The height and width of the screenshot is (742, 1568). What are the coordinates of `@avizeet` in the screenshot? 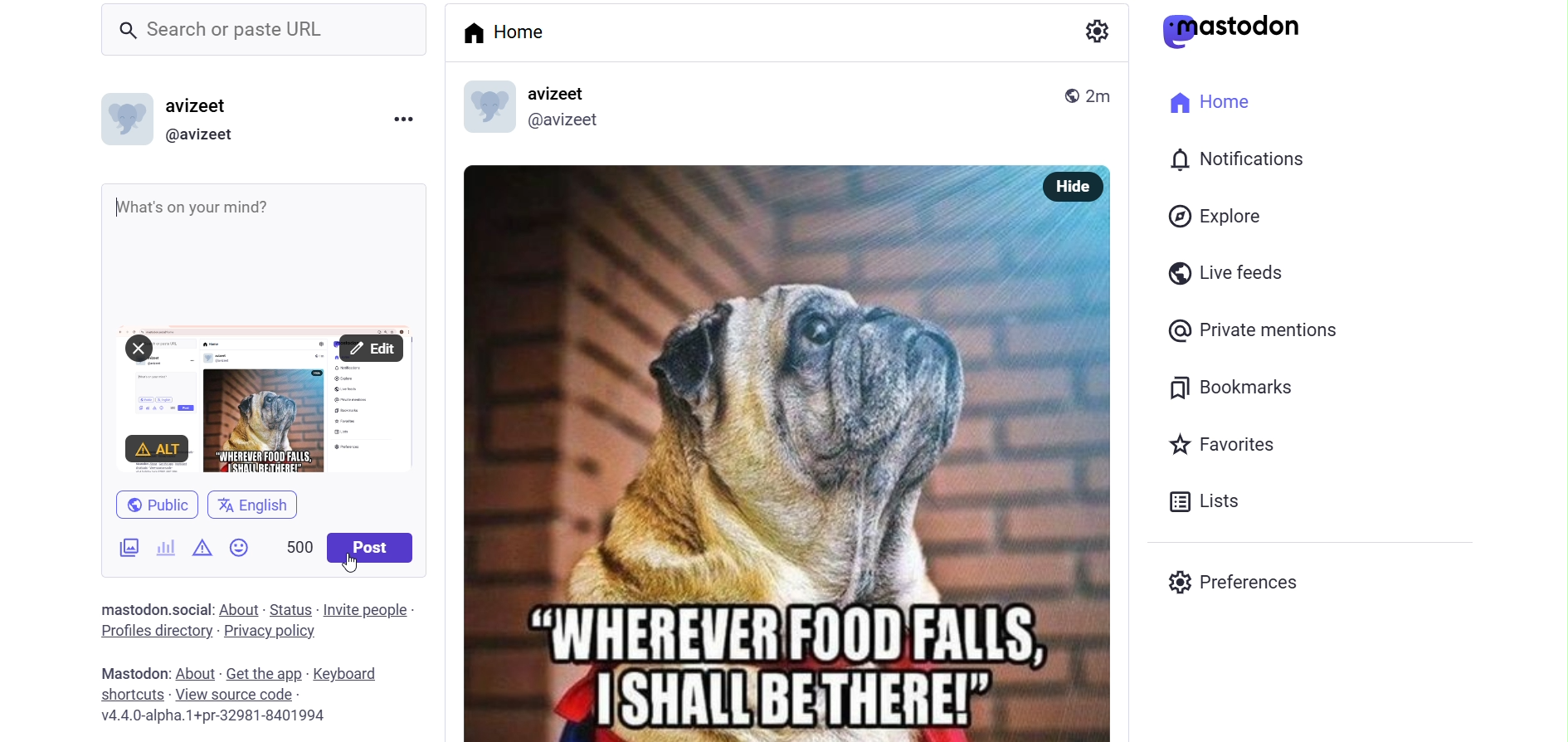 It's located at (567, 121).